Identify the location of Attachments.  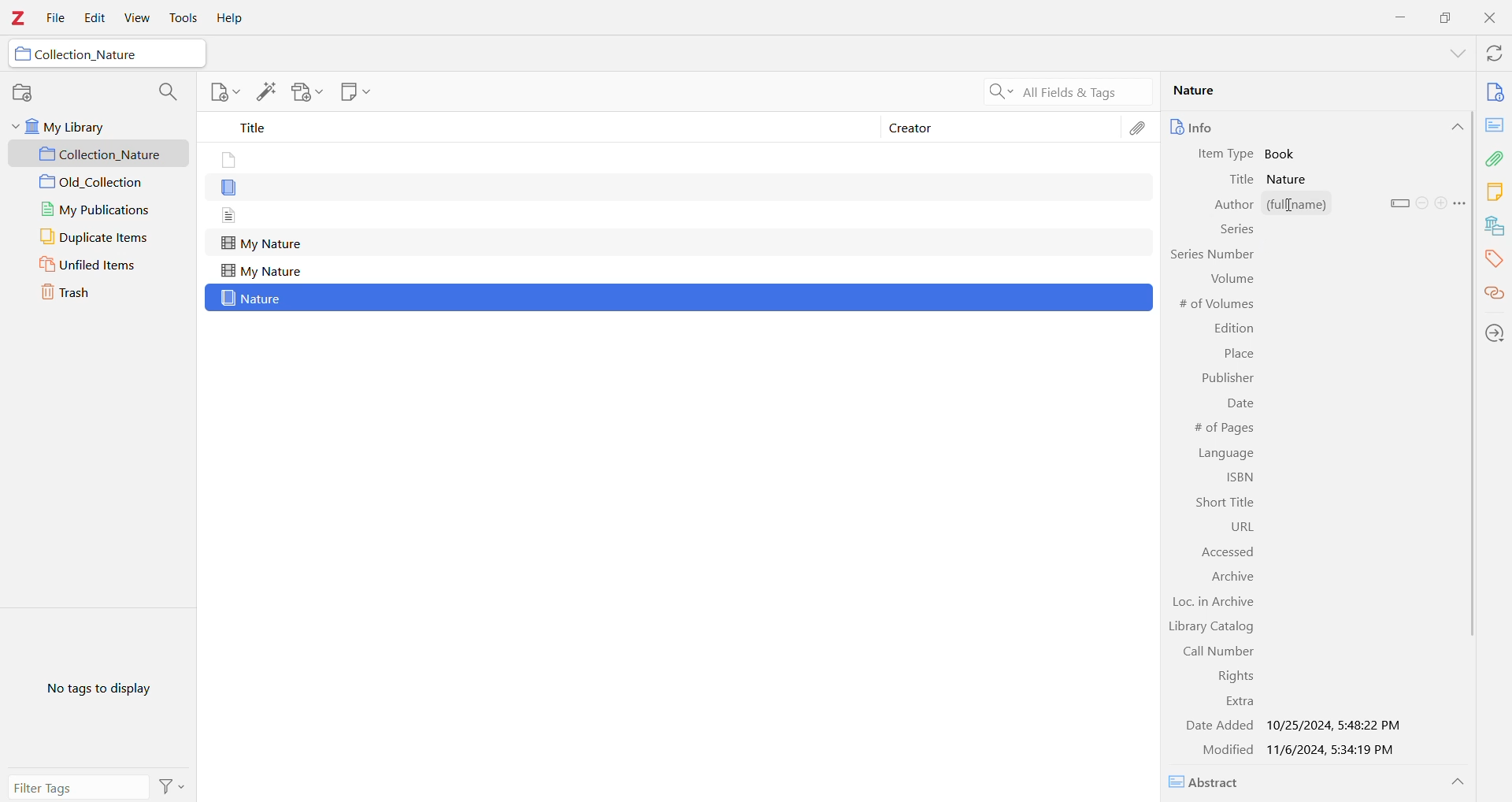
(1495, 158).